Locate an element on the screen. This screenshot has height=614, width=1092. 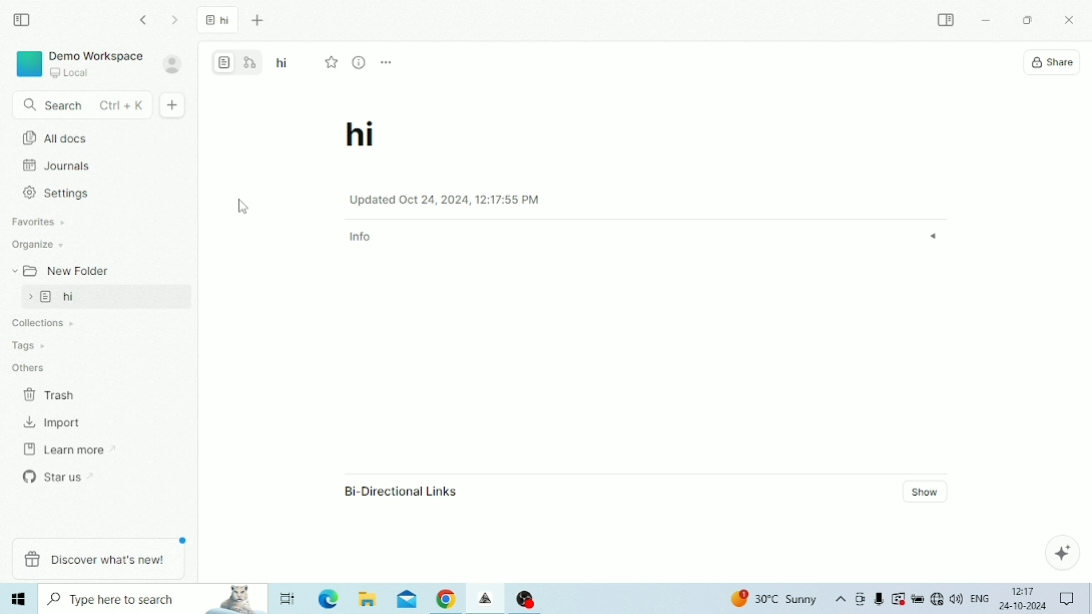
Microsoft Edge is located at coordinates (330, 599).